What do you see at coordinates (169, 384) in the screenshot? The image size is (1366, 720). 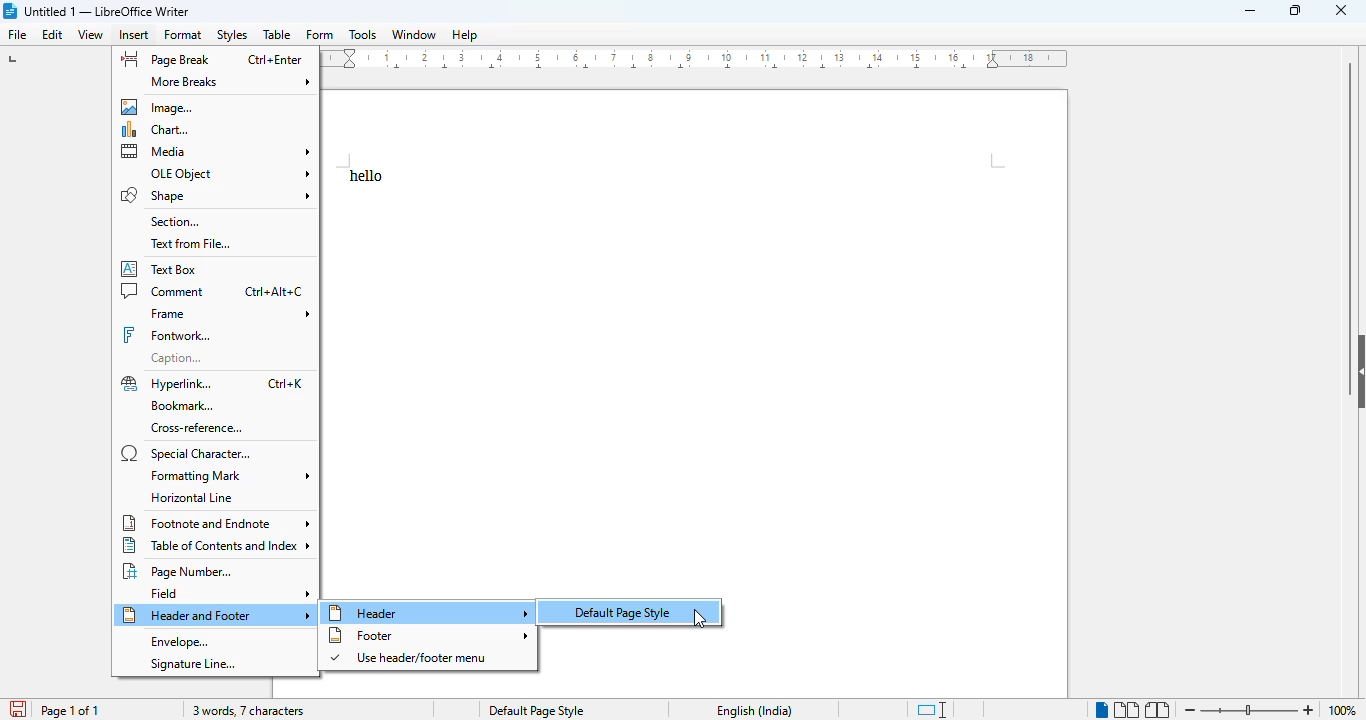 I see `hyperlink` at bounding box center [169, 384].